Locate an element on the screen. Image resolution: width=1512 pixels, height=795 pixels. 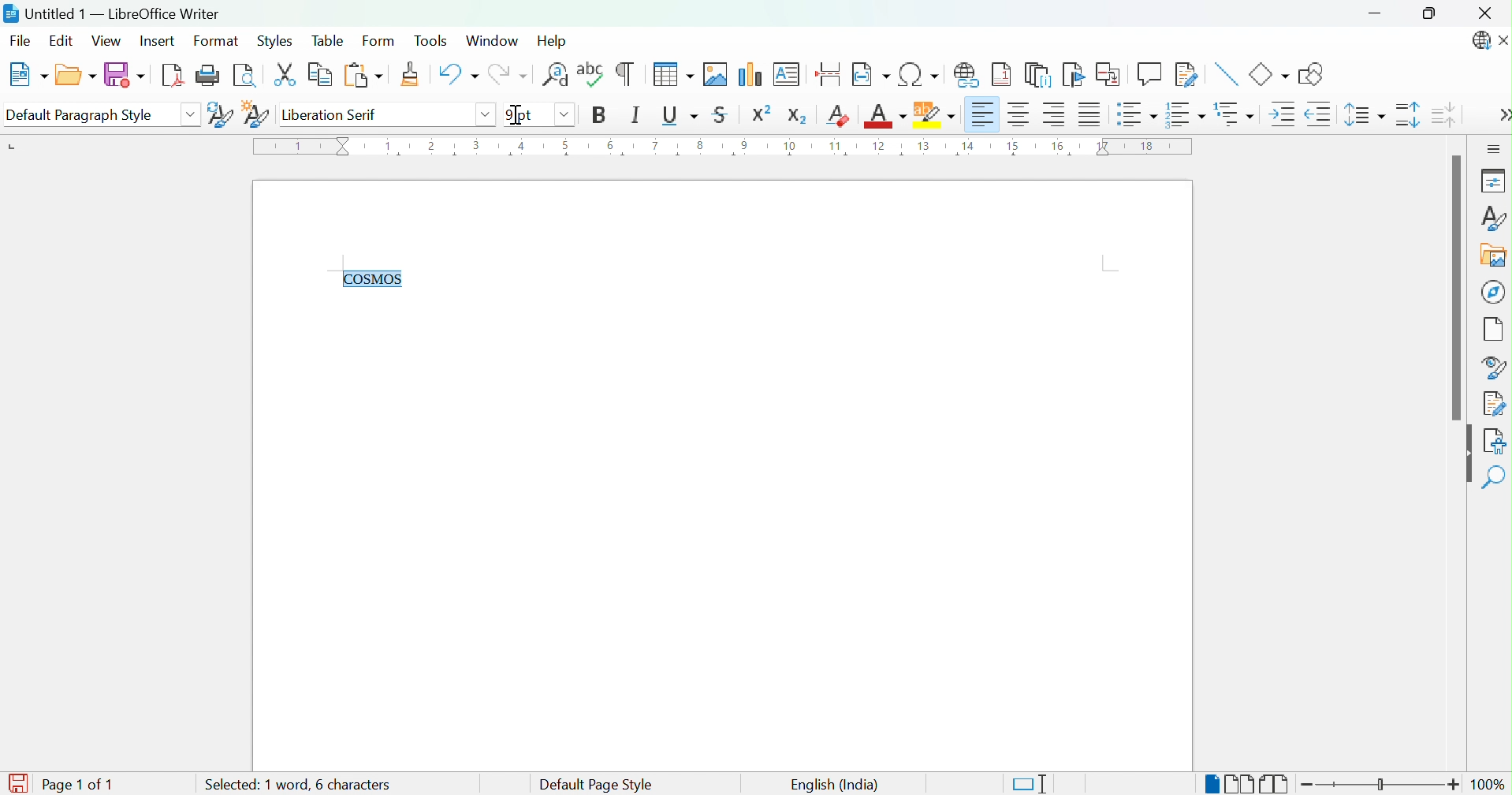
Decrease Paragraph Spacing is located at coordinates (1446, 114).